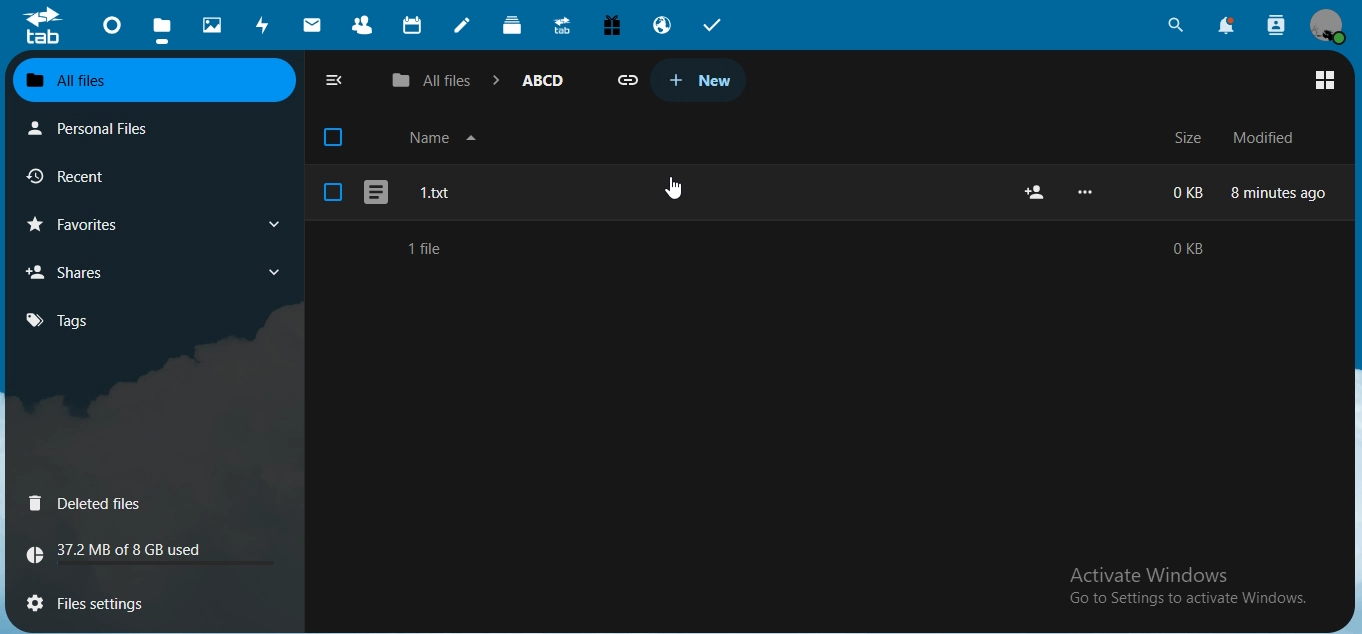 This screenshot has height=634, width=1362. I want to click on activity, so click(265, 27).